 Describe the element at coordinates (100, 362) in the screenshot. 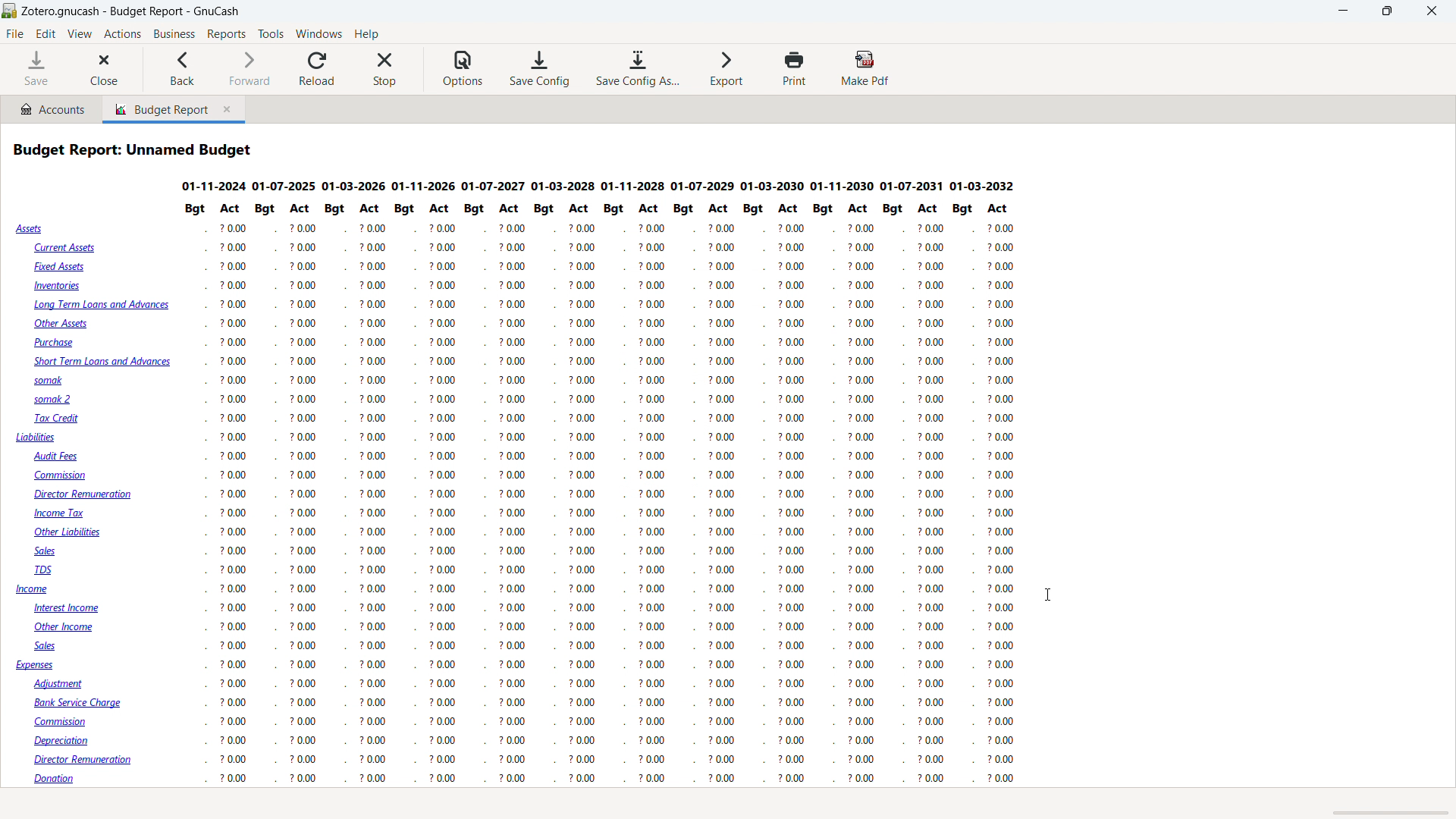

I see `hort Term Loans and Advances` at that location.